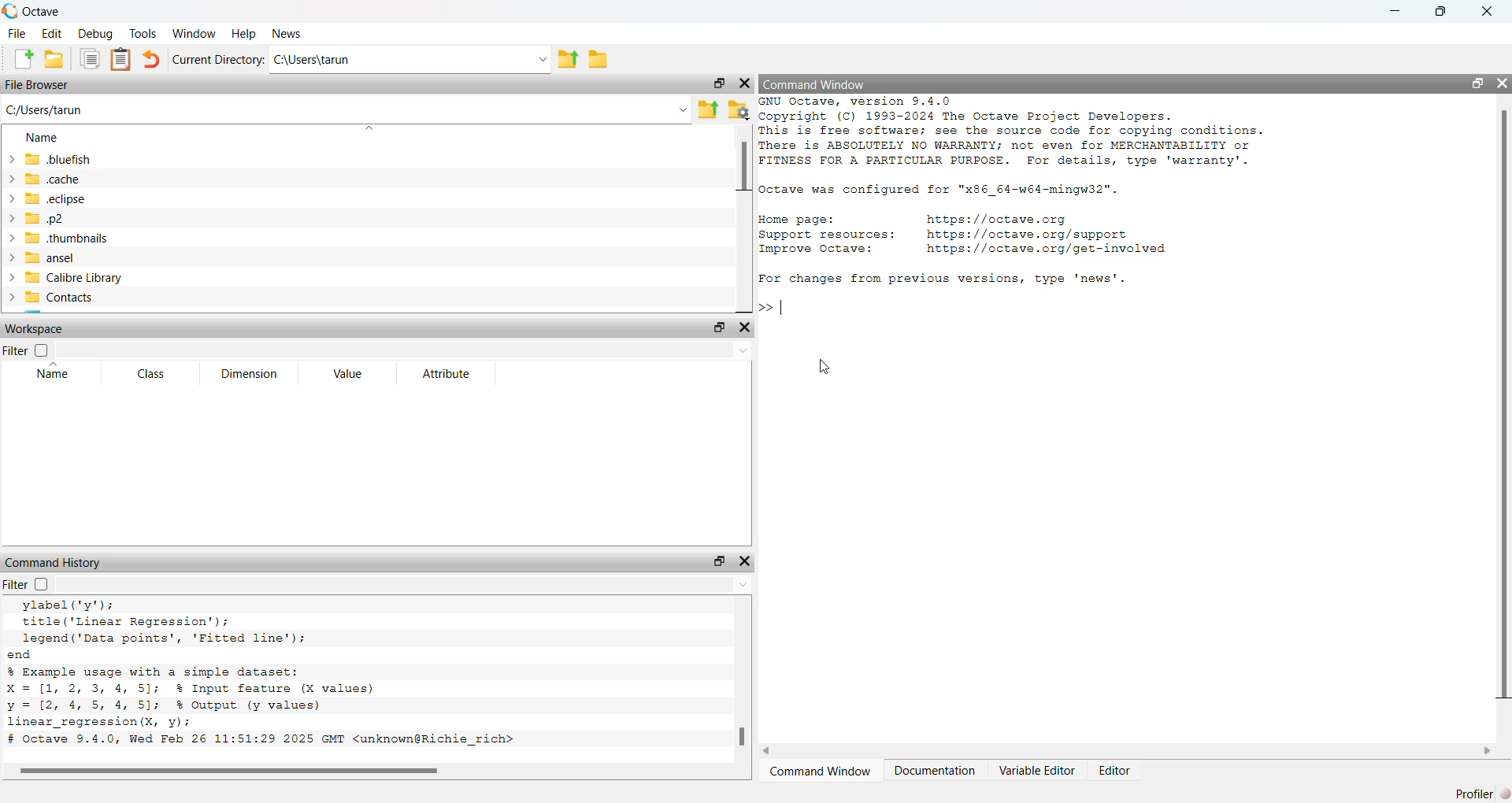  I want to click on one directory up, so click(567, 60).